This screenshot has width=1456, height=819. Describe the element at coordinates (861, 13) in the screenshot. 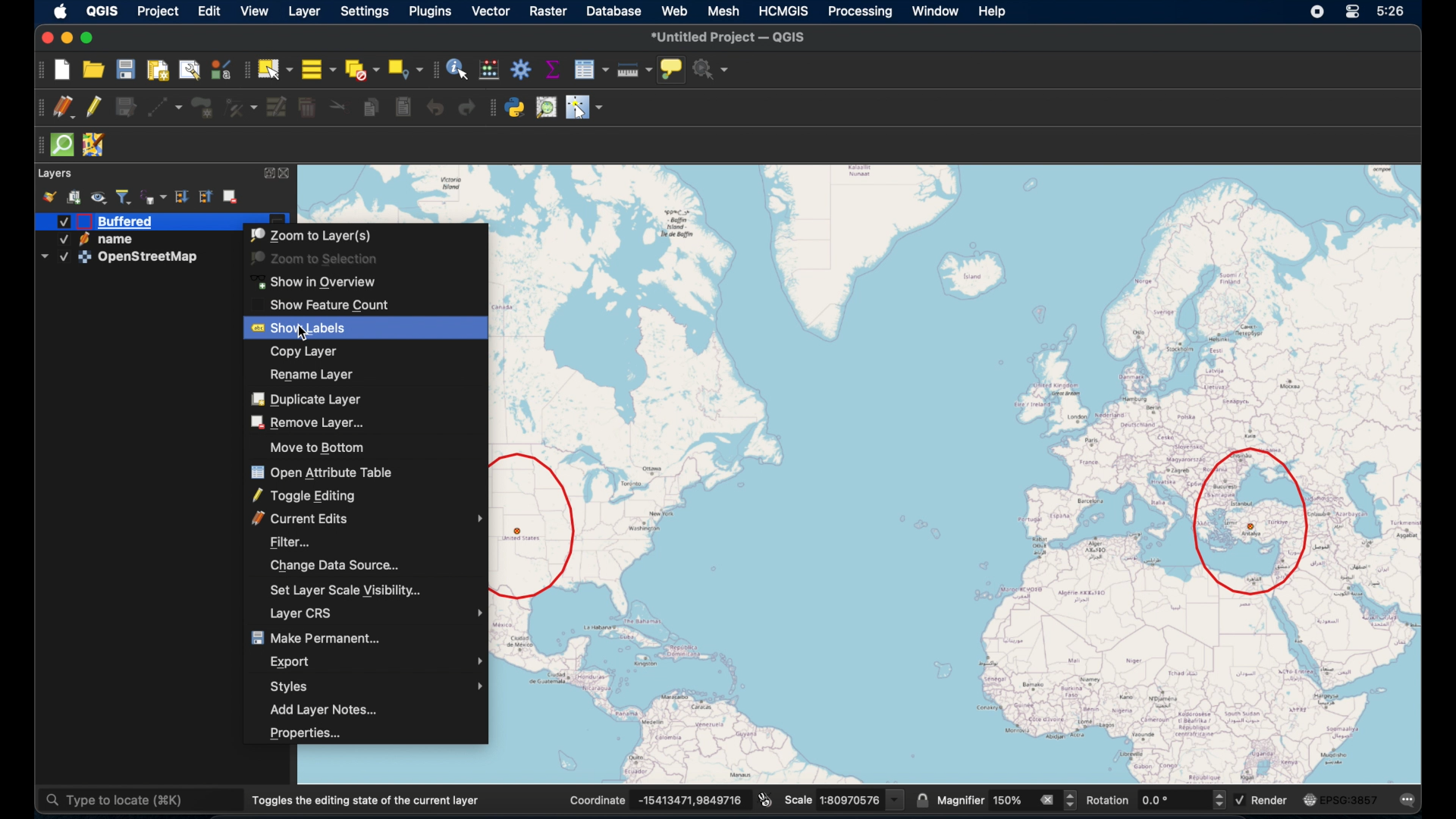

I see `processing` at that location.